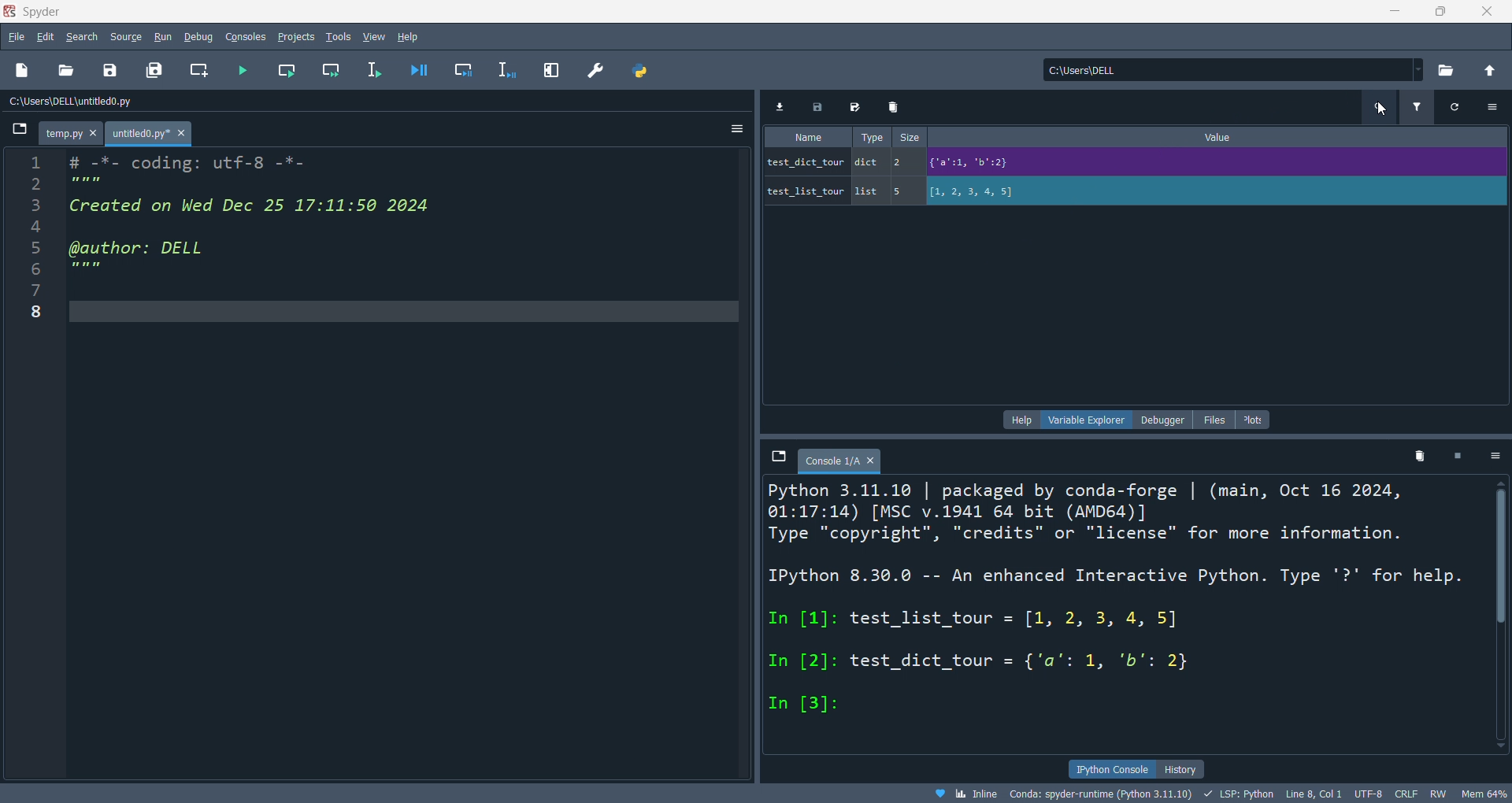  What do you see at coordinates (1485, 13) in the screenshot?
I see `close` at bounding box center [1485, 13].